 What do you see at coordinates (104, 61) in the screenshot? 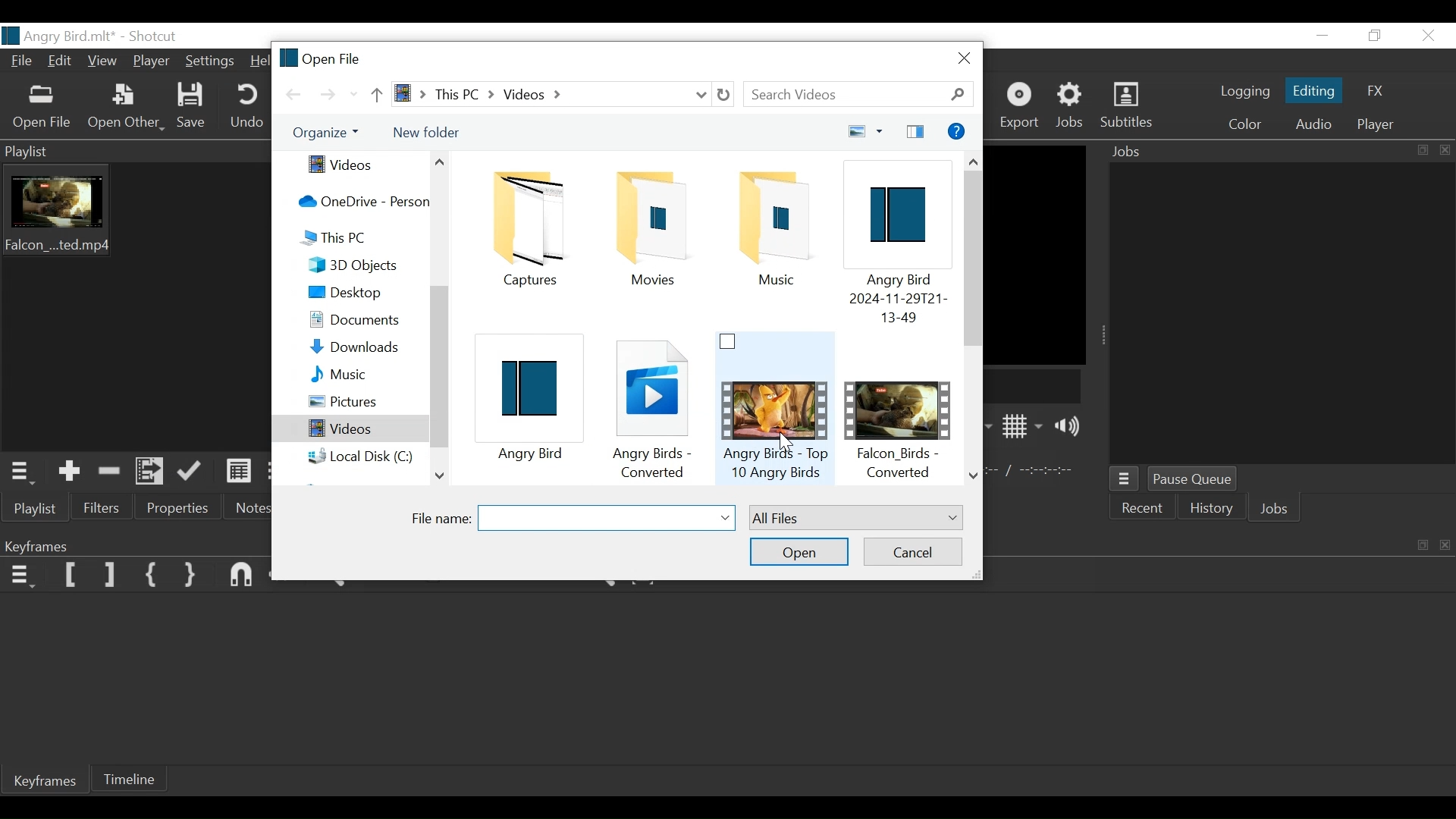
I see `View` at bounding box center [104, 61].